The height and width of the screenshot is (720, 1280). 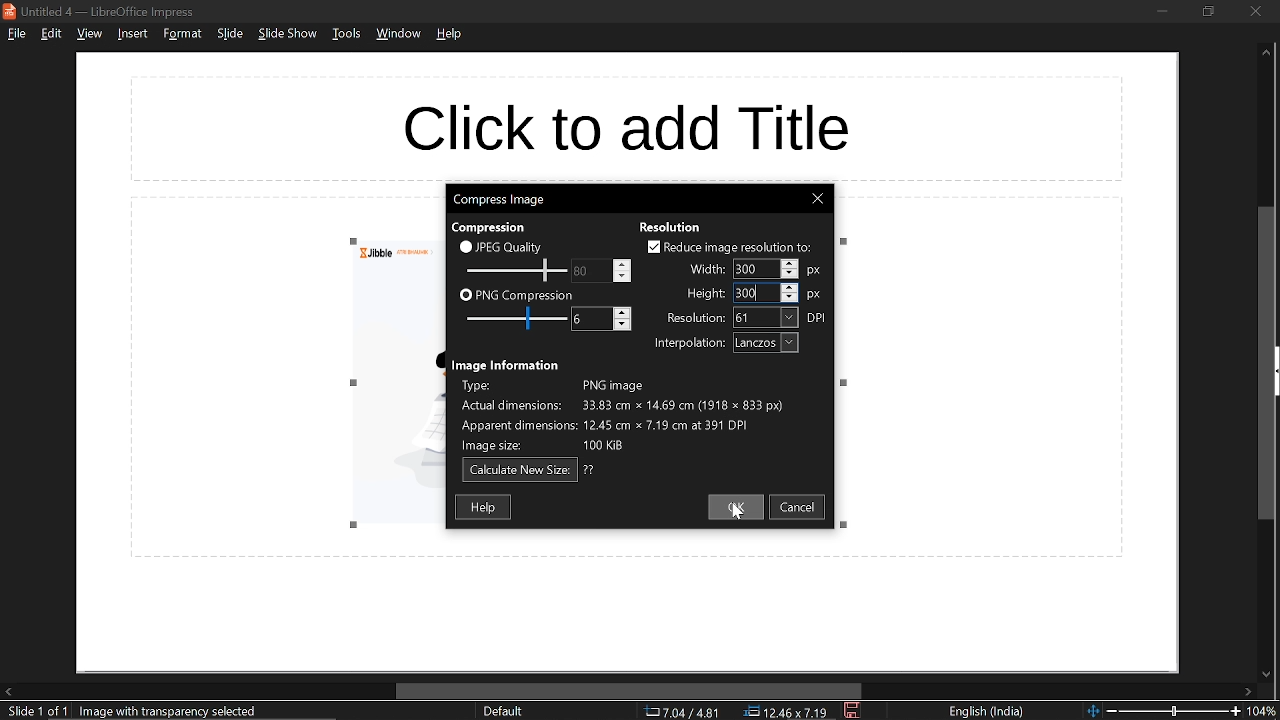 What do you see at coordinates (989, 712) in the screenshot?
I see `language` at bounding box center [989, 712].